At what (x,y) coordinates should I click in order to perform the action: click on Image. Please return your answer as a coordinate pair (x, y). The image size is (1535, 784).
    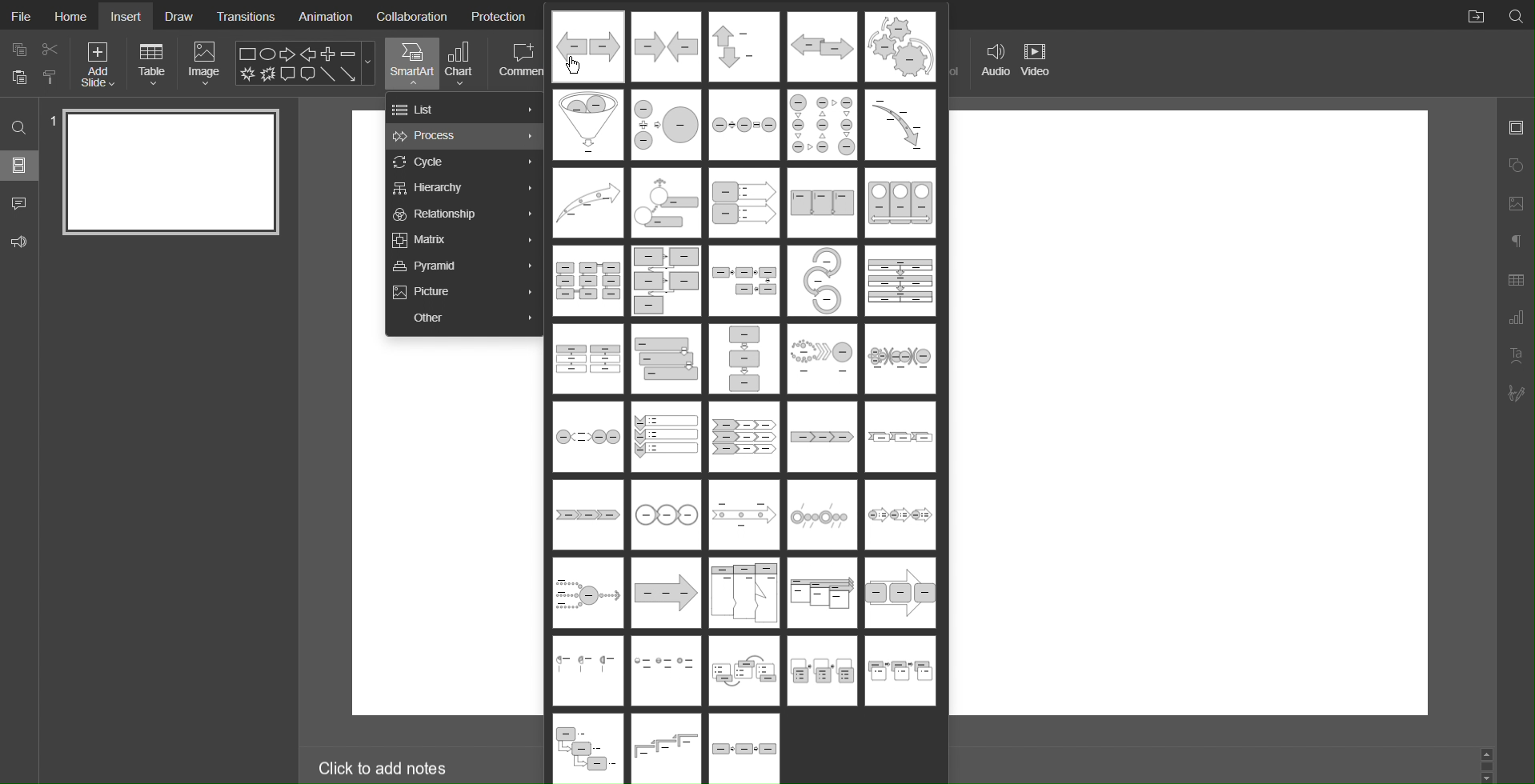
    Looking at the image, I should click on (205, 63).